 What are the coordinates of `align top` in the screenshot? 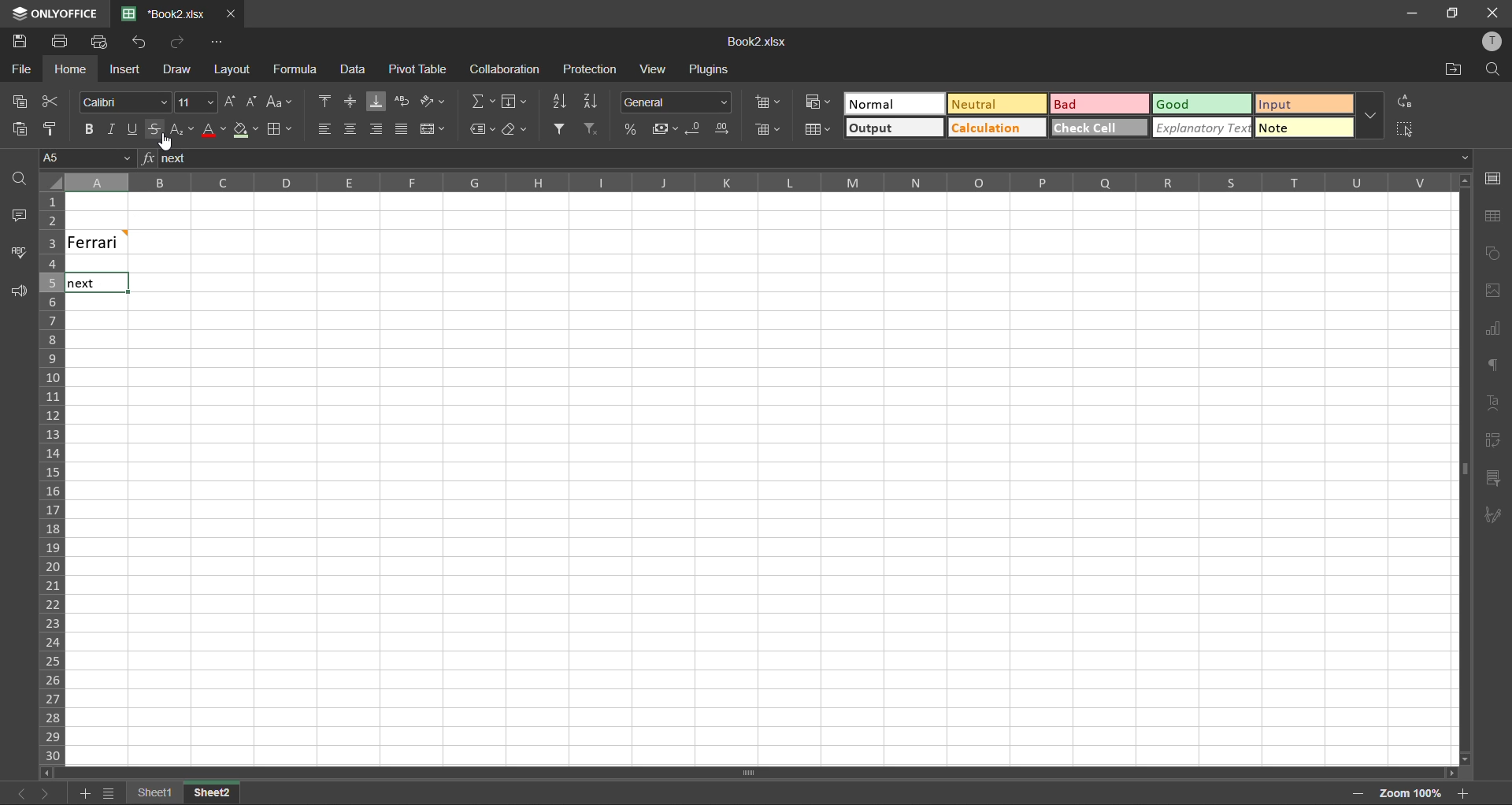 It's located at (325, 100).